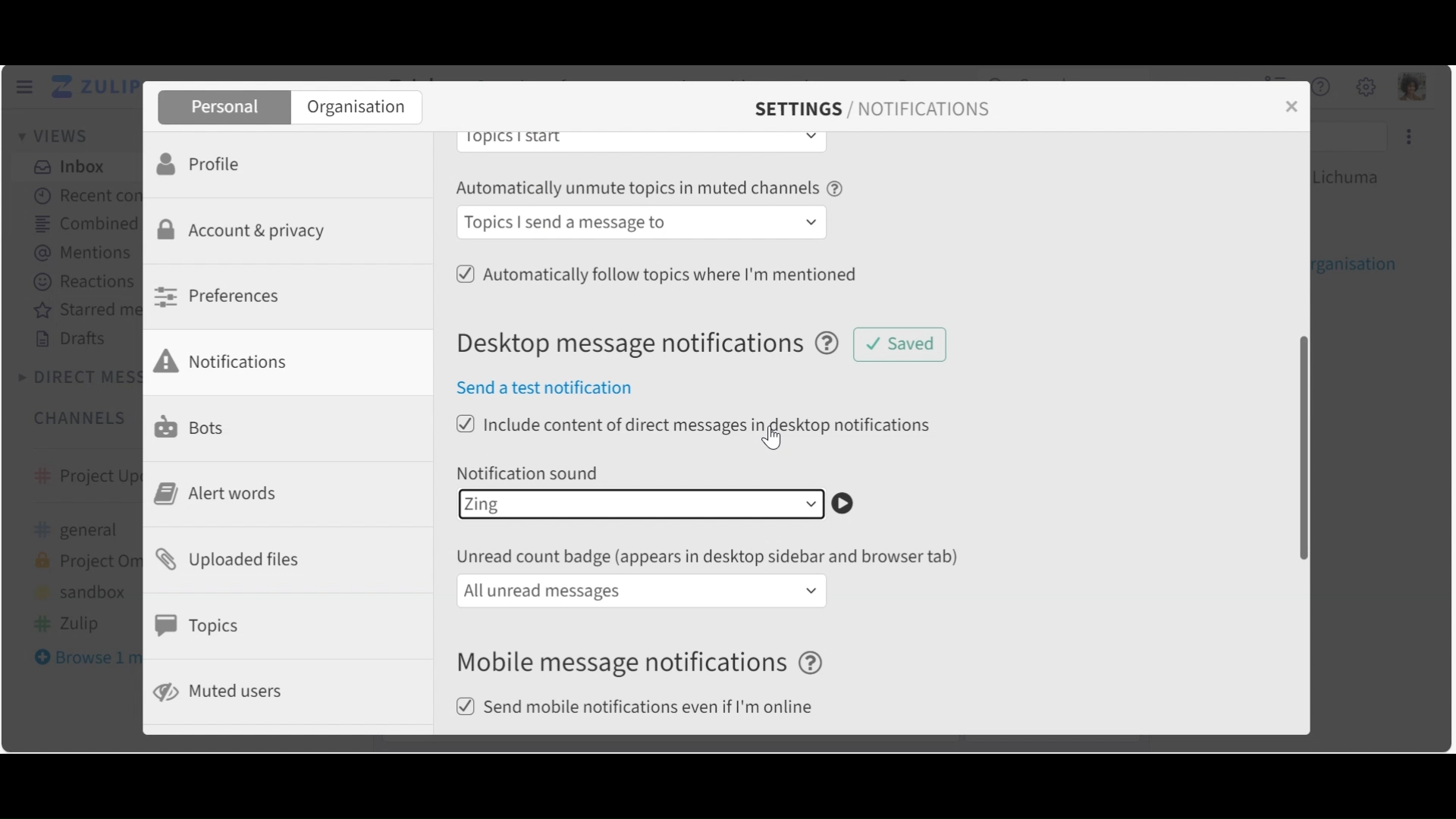  What do you see at coordinates (849, 504) in the screenshot?
I see `Play notification sound` at bounding box center [849, 504].